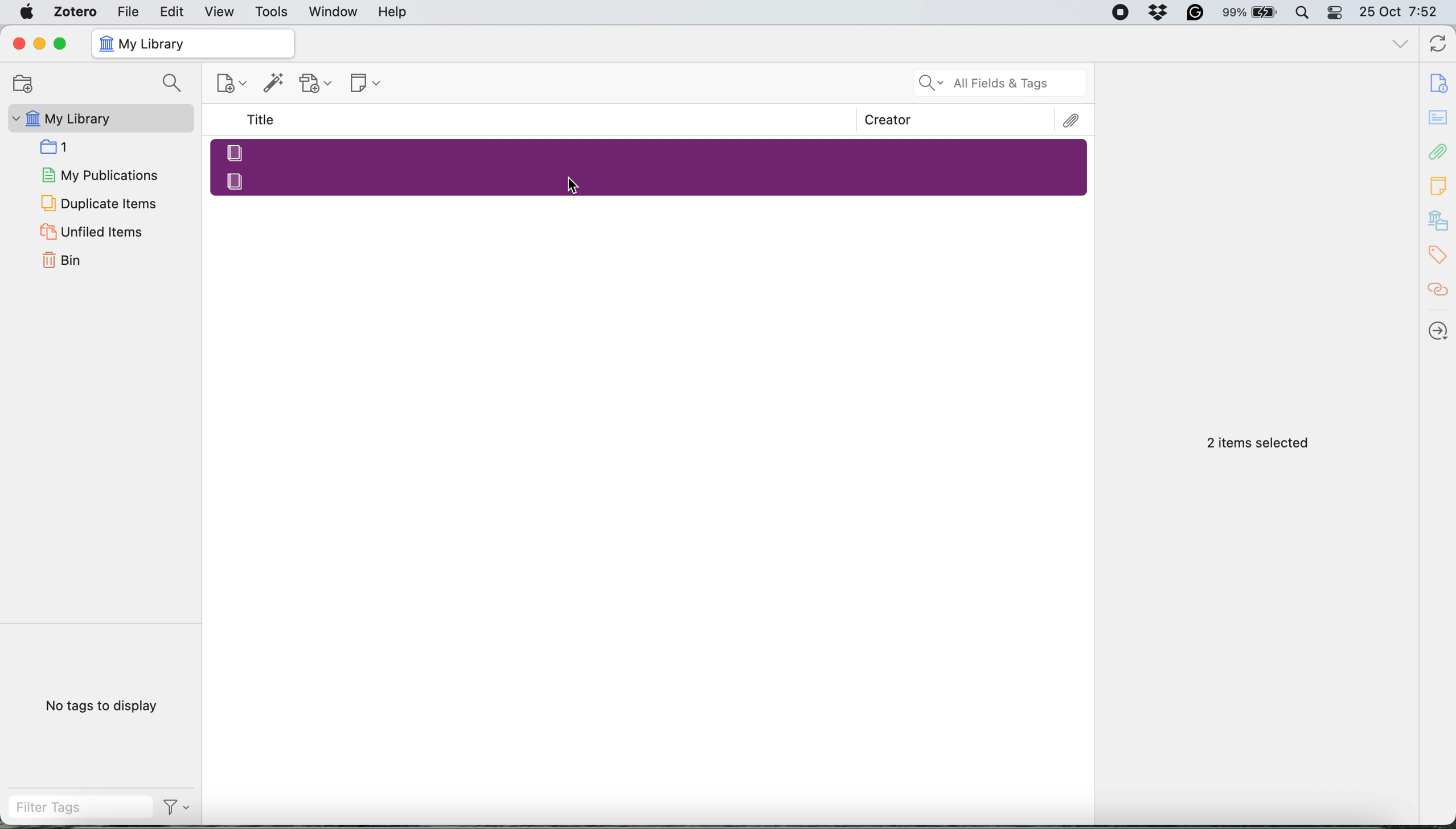 The height and width of the screenshot is (829, 1456). Describe the element at coordinates (99, 173) in the screenshot. I see `My Publications` at that location.